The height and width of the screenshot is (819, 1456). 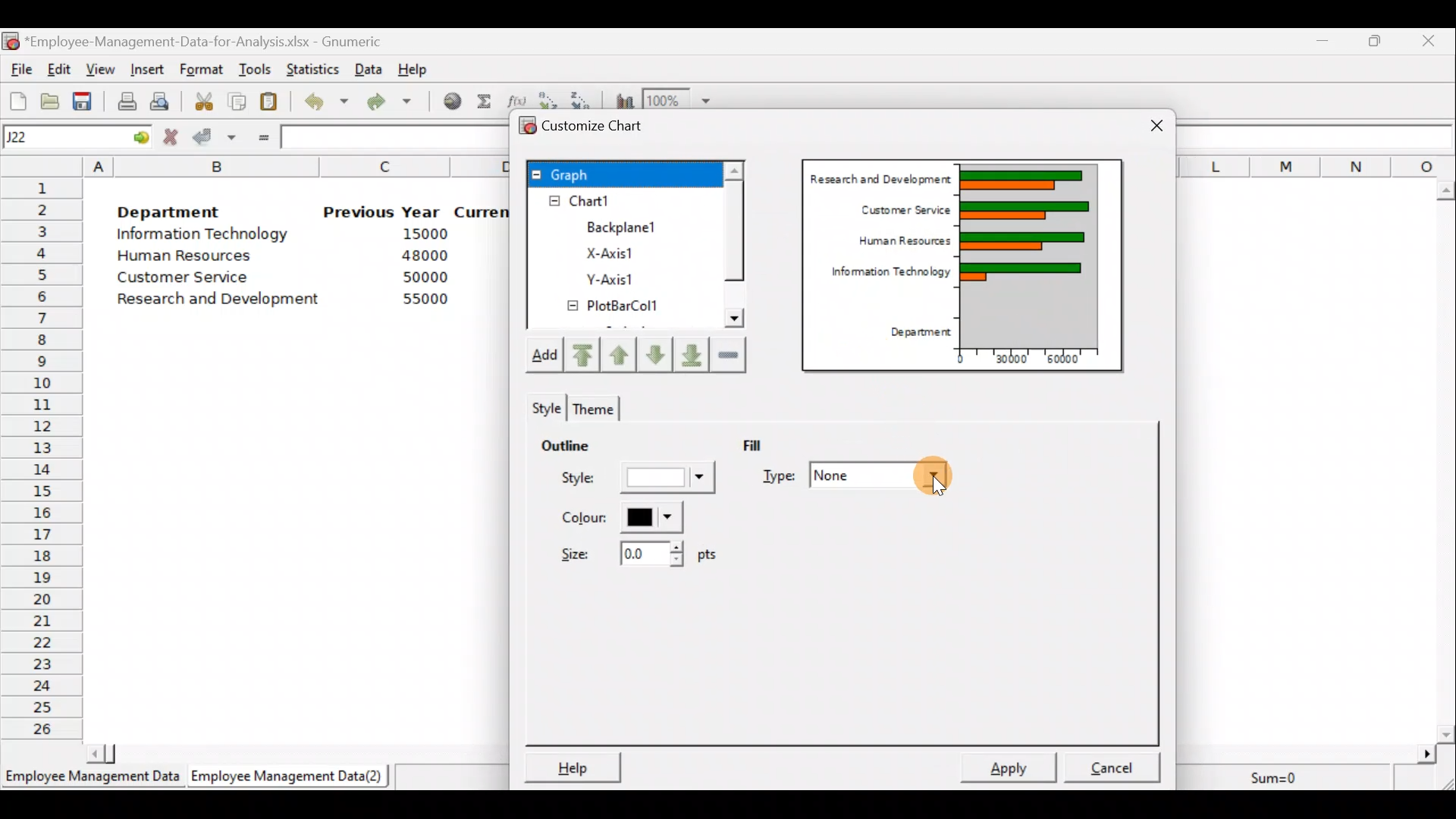 I want to click on Type, so click(x=856, y=473).